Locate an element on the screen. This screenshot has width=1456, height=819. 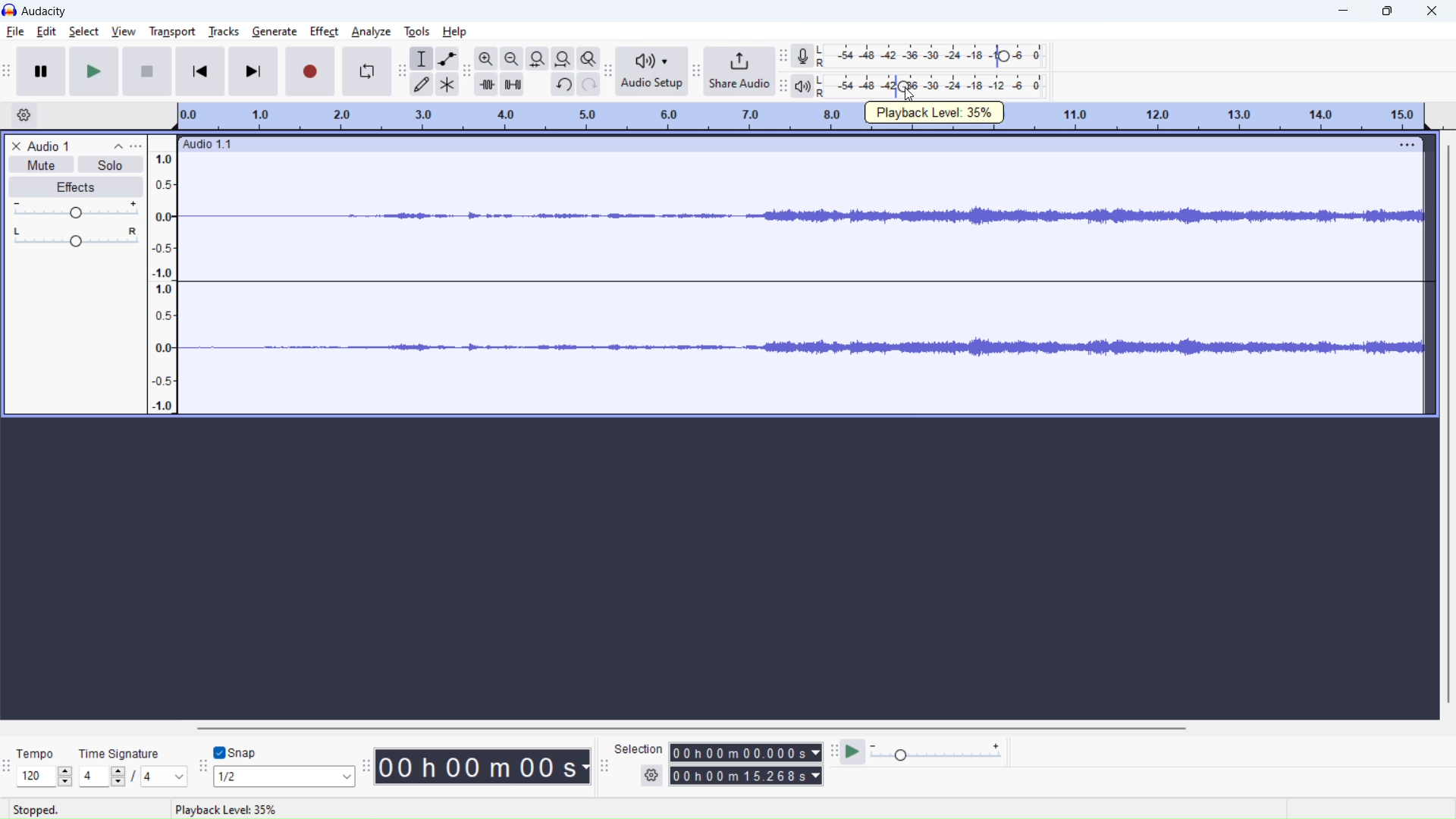
record level is located at coordinates (930, 56).